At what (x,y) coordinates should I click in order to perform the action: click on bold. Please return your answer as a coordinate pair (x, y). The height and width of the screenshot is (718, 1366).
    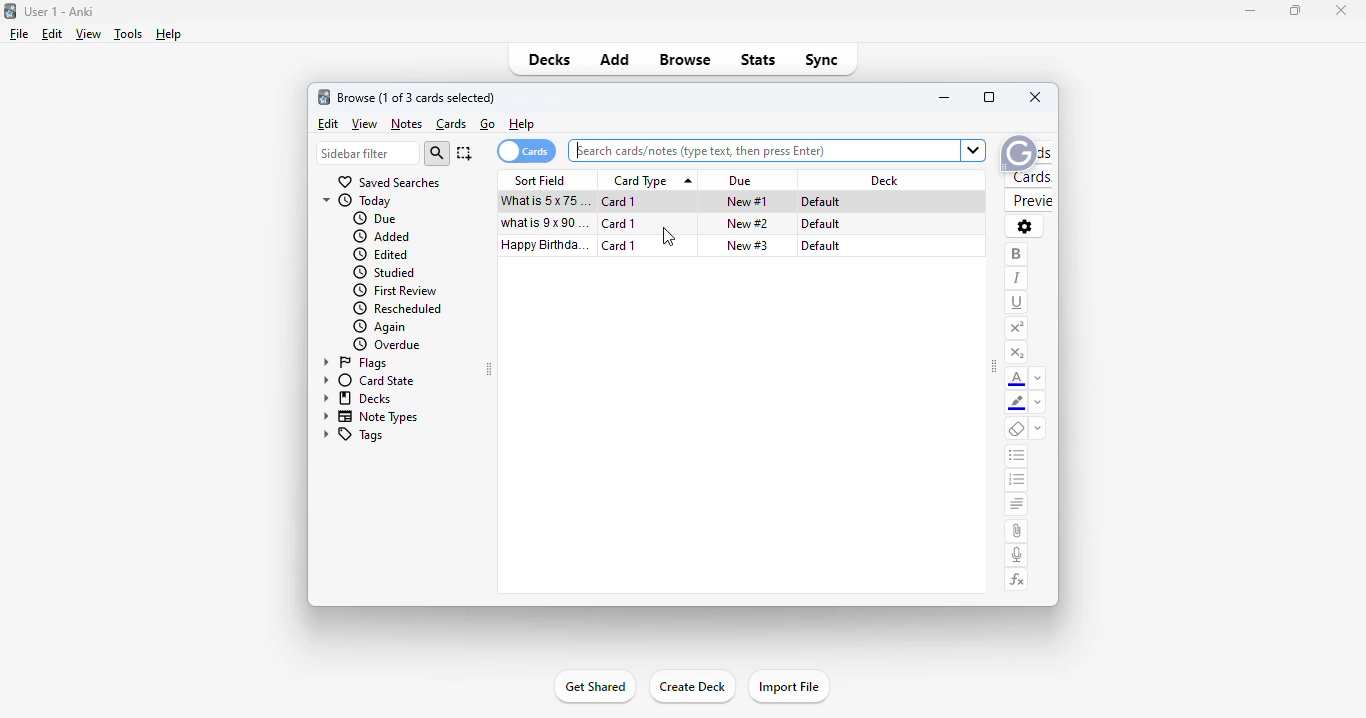
    Looking at the image, I should click on (1015, 255).